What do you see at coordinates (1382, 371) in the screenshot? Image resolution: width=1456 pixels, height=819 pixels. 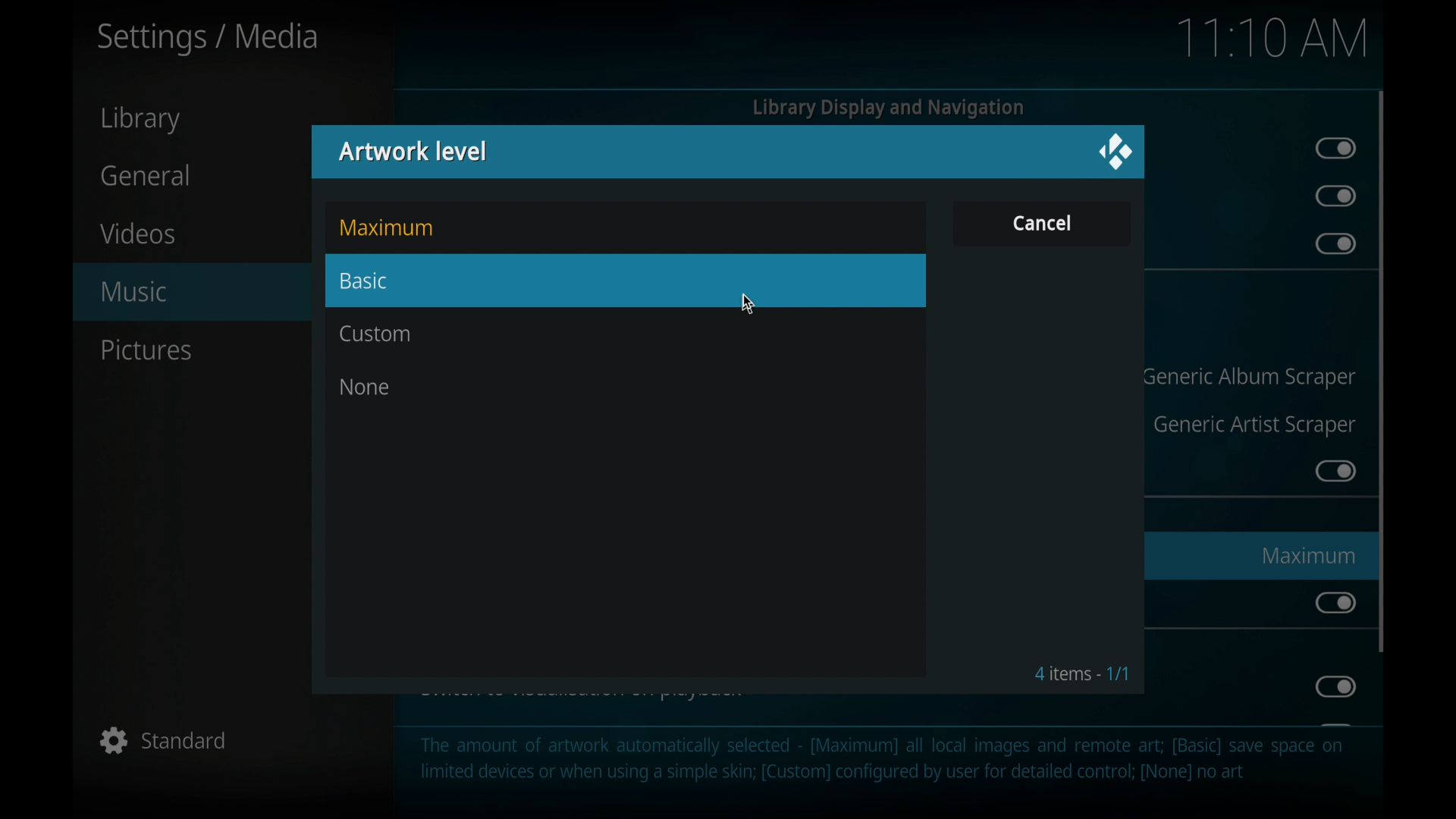 I see `scroll box` at bounding box center [1382, 371].